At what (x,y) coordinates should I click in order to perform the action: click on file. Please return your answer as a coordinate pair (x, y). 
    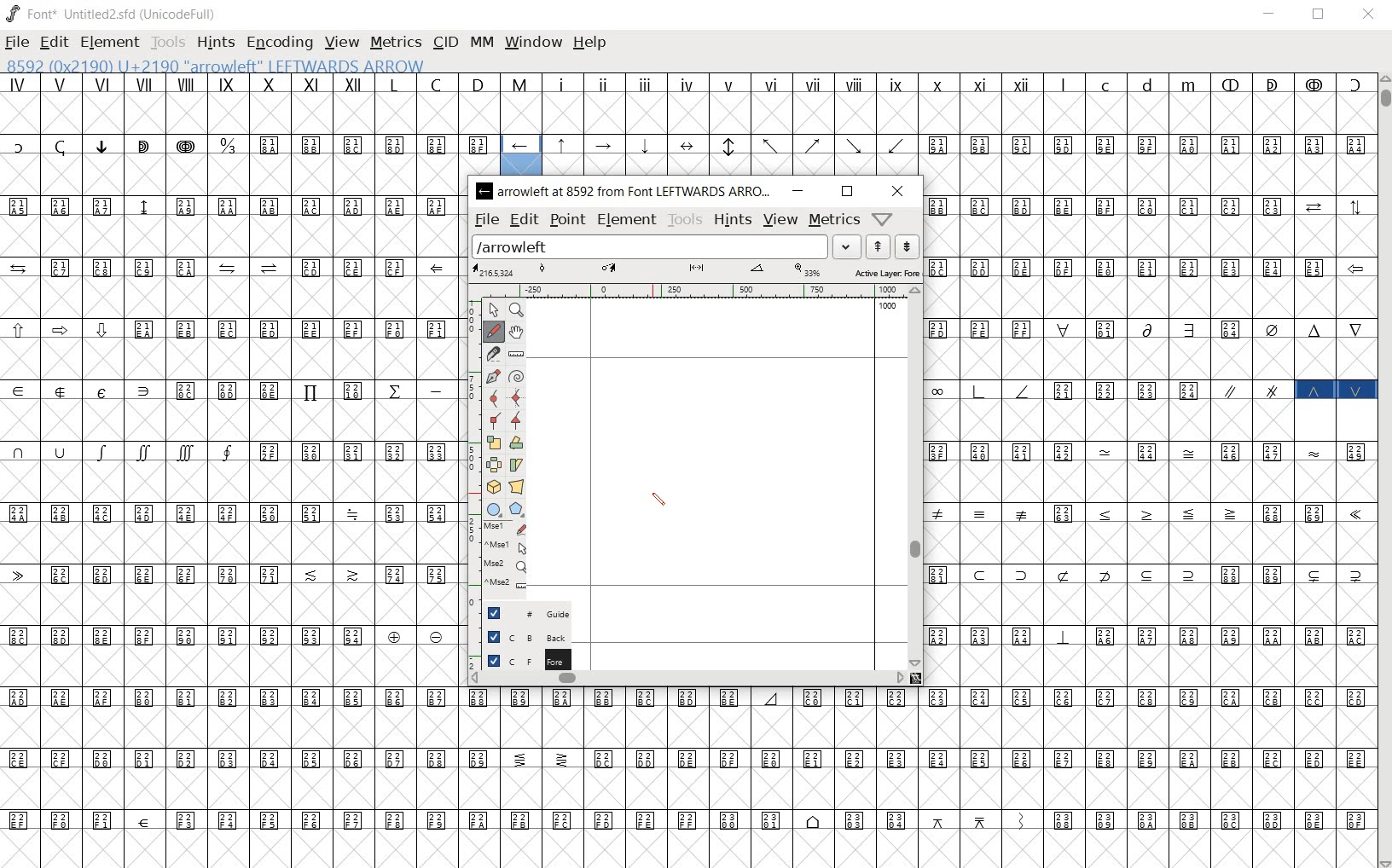
    Looking at the image, I should click on (486, 219).